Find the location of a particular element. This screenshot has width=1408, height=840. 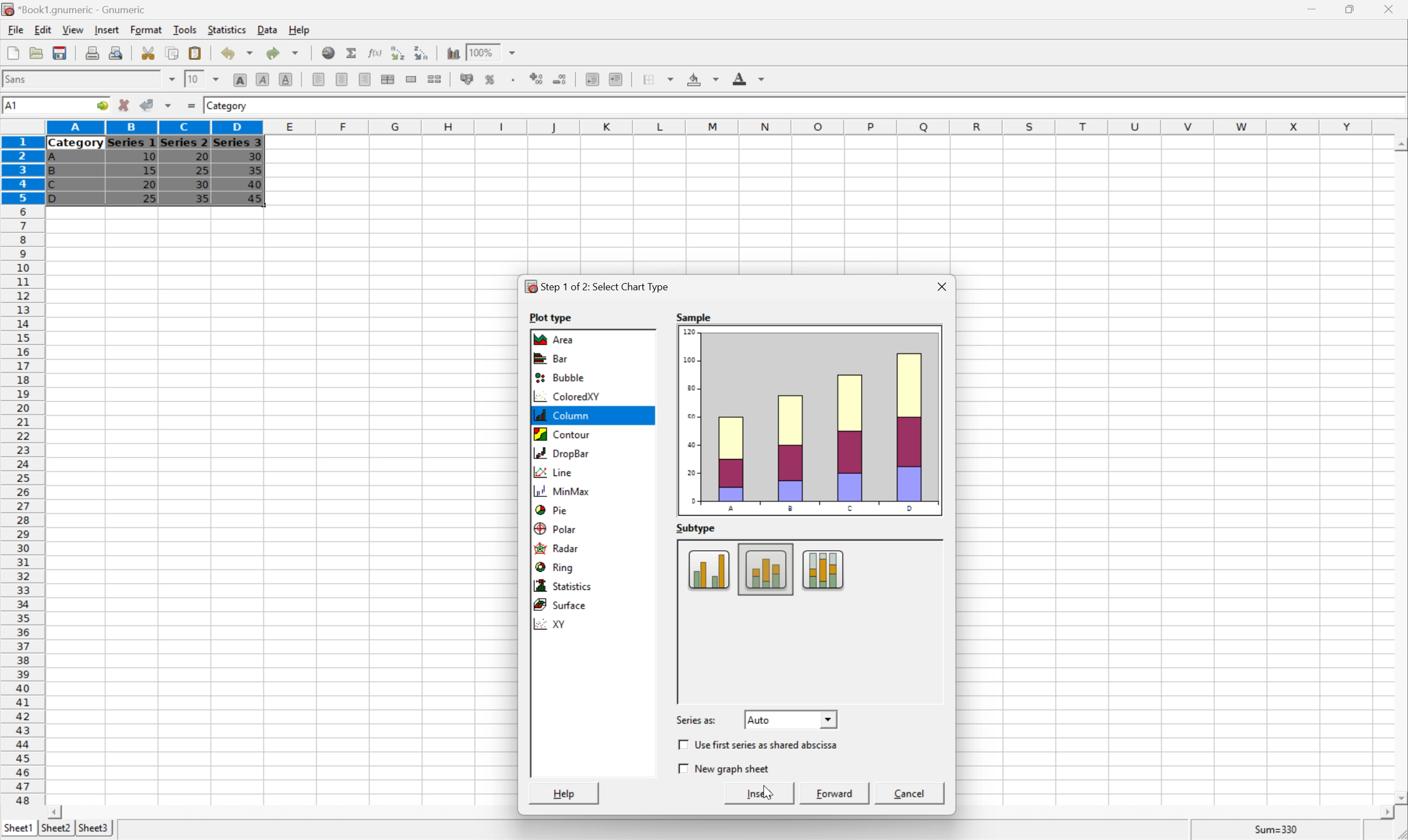

Sample is located at coordinates (809, 419).